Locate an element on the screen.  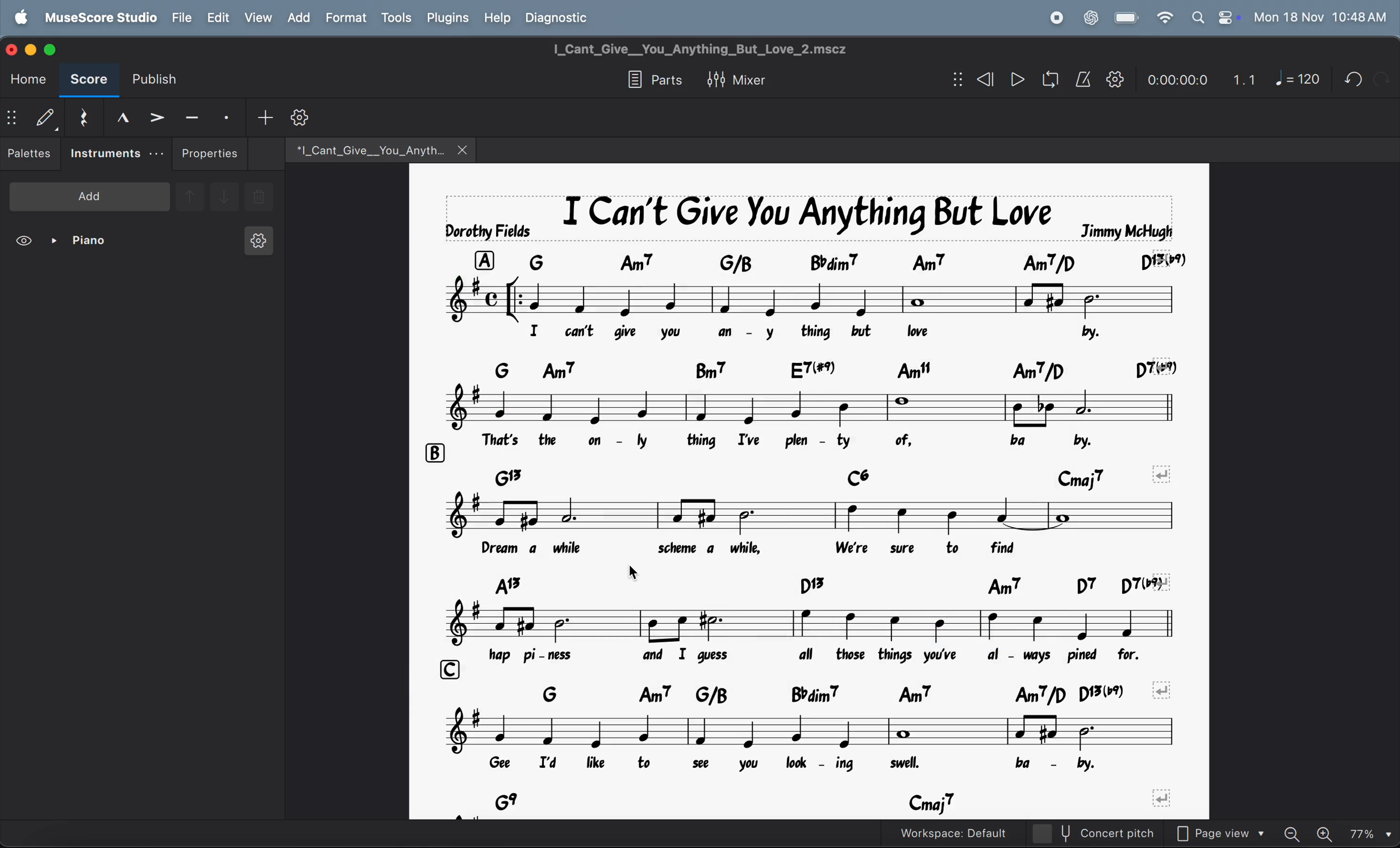
notes is located at coordinates (818, 295).